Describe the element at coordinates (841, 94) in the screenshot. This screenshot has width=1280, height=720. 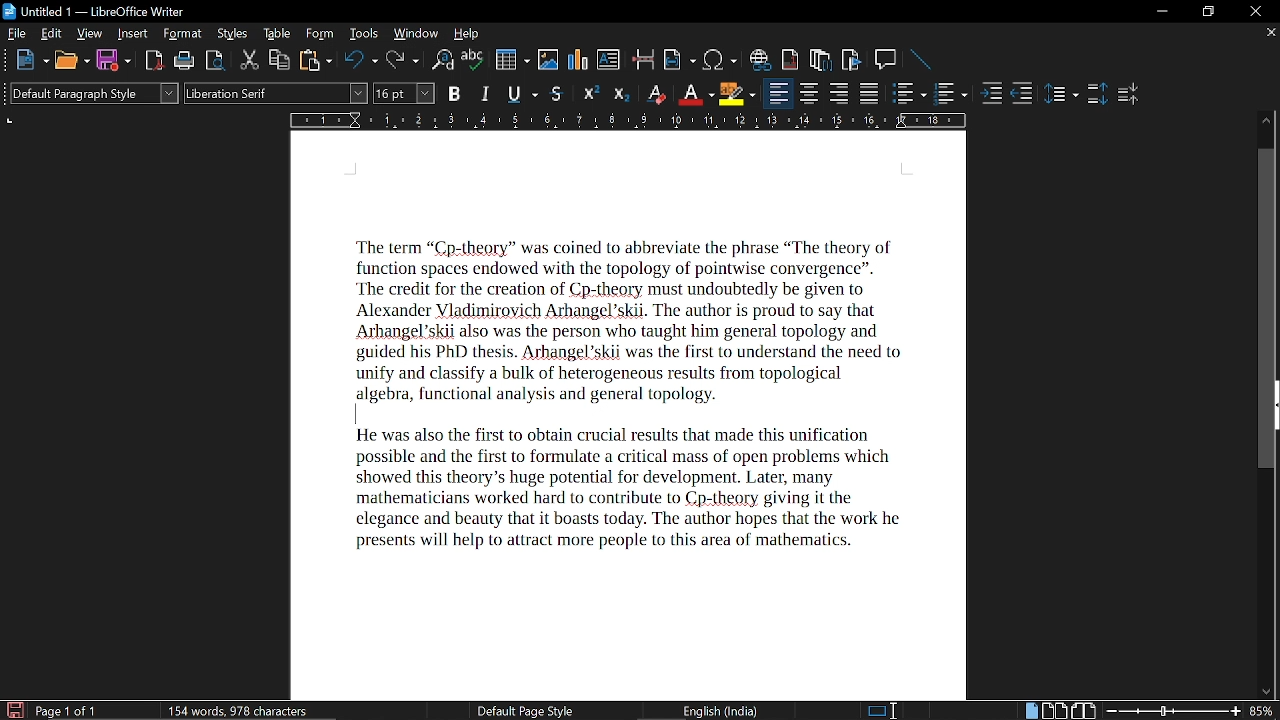
I see `Allign right` at that location.